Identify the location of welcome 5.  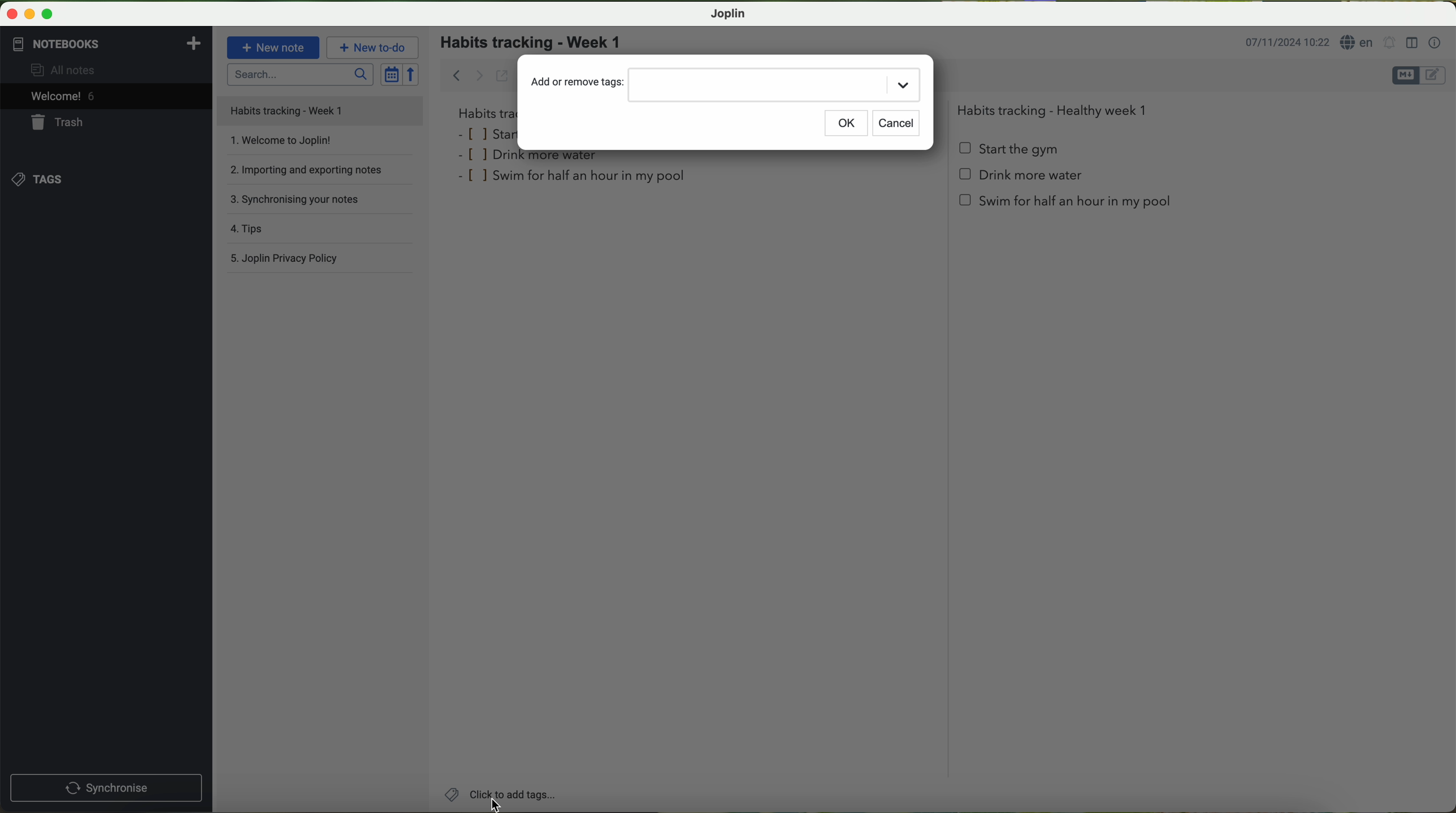
(63, 96).